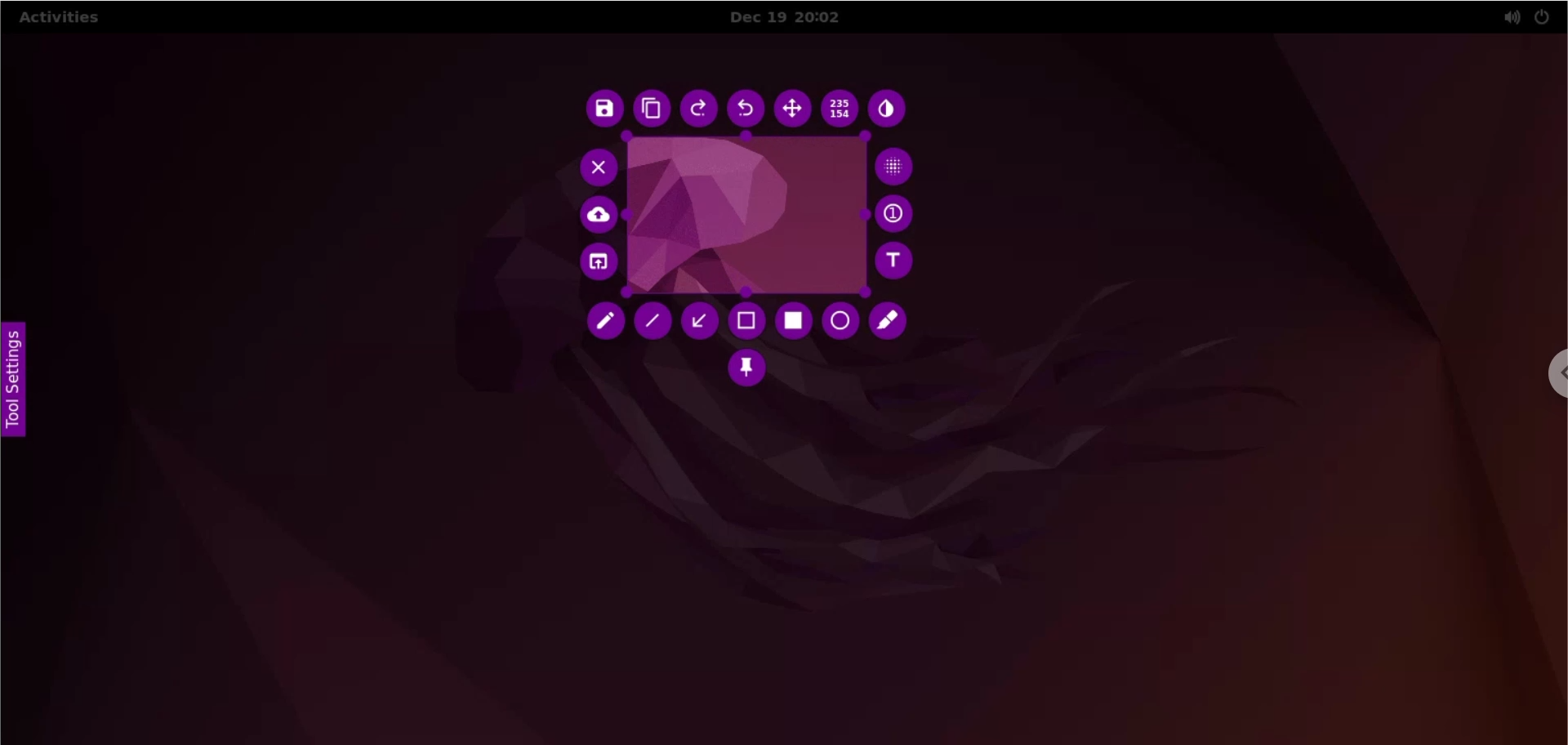  I want to click on pixelette, so click(901, 167).